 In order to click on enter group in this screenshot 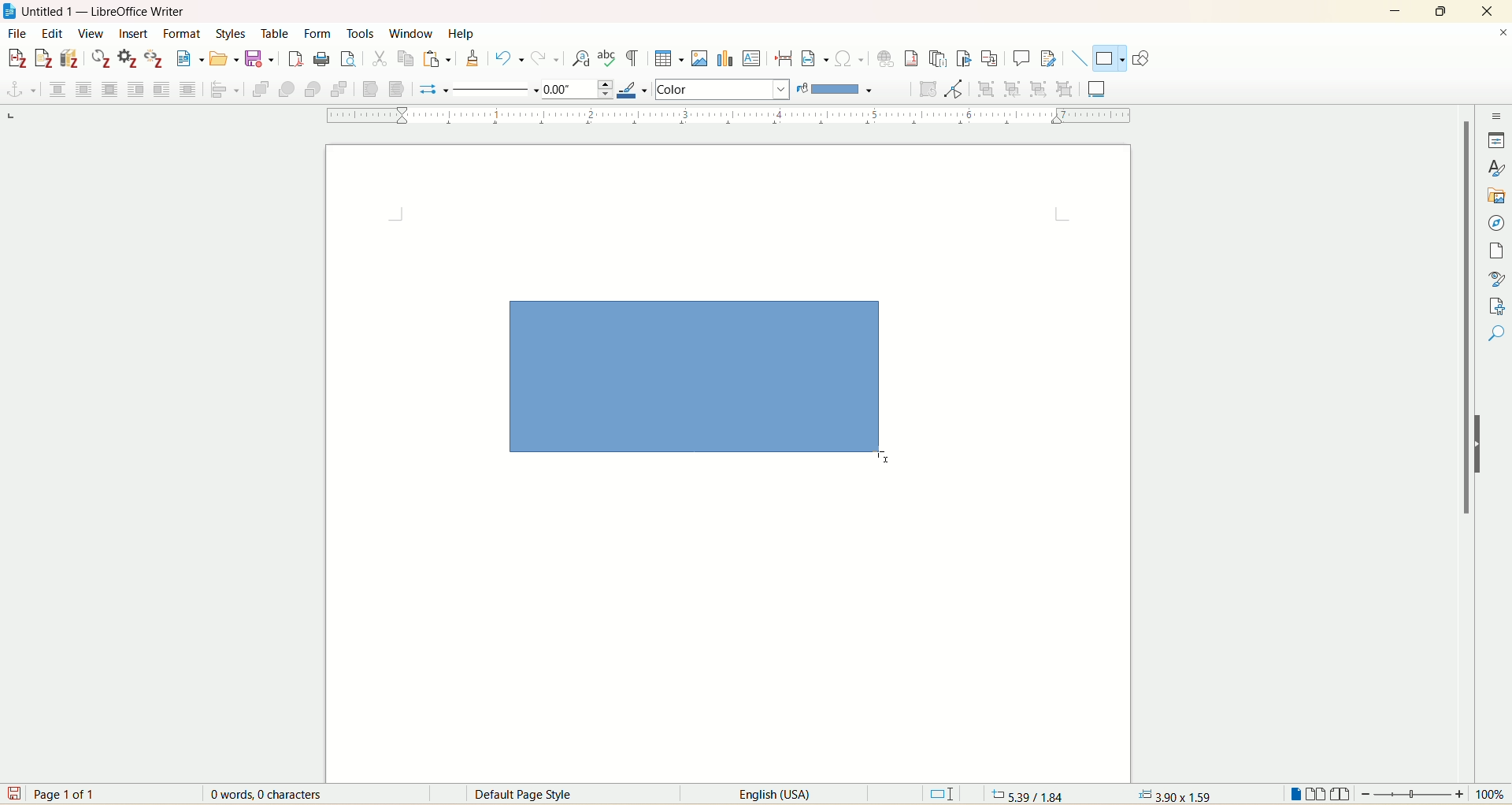, I will do `click(1016, 88)`.